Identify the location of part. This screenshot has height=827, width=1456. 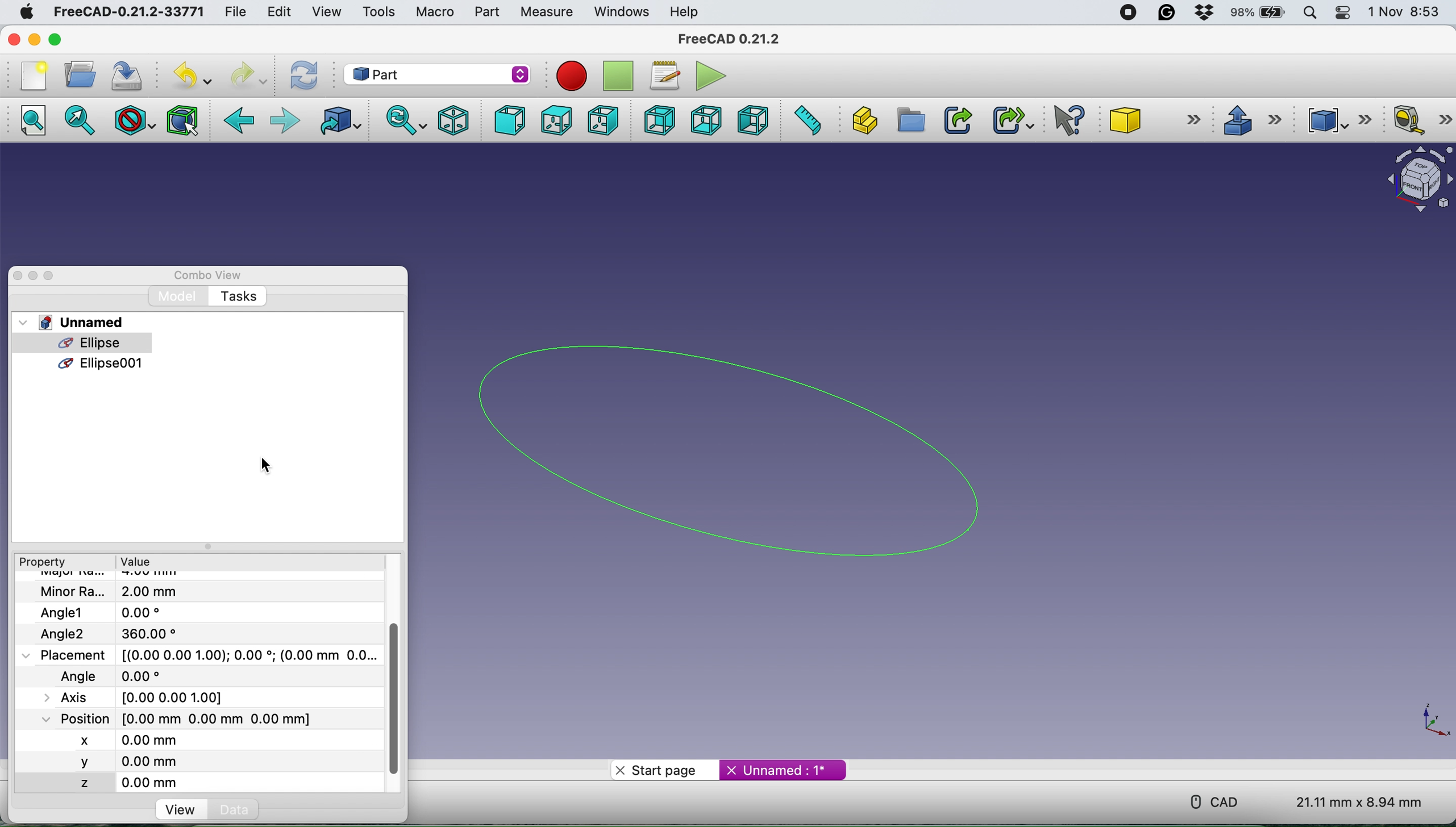
(485, 12).